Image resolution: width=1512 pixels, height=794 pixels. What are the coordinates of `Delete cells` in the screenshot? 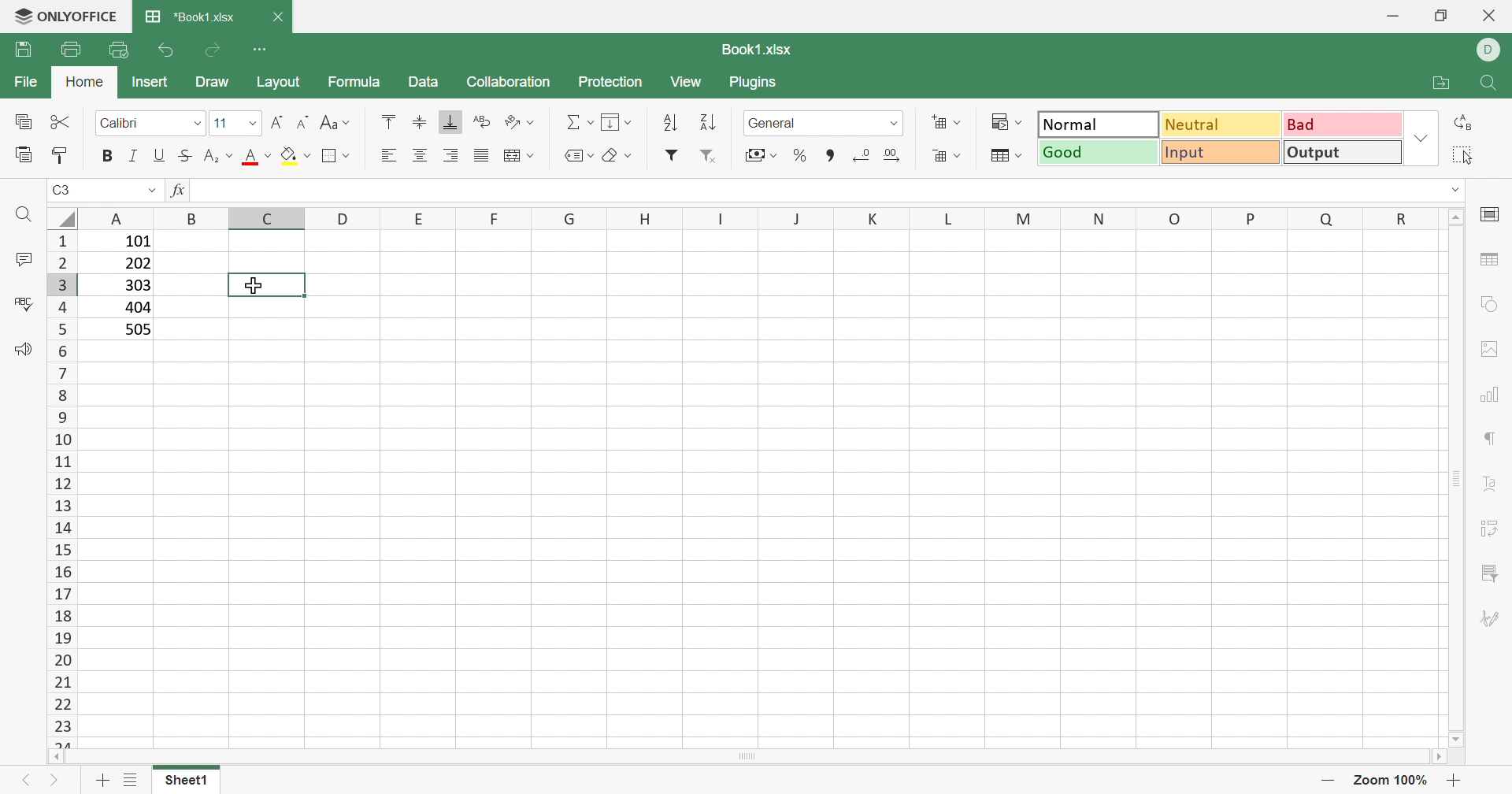 It's located at (947, 156).